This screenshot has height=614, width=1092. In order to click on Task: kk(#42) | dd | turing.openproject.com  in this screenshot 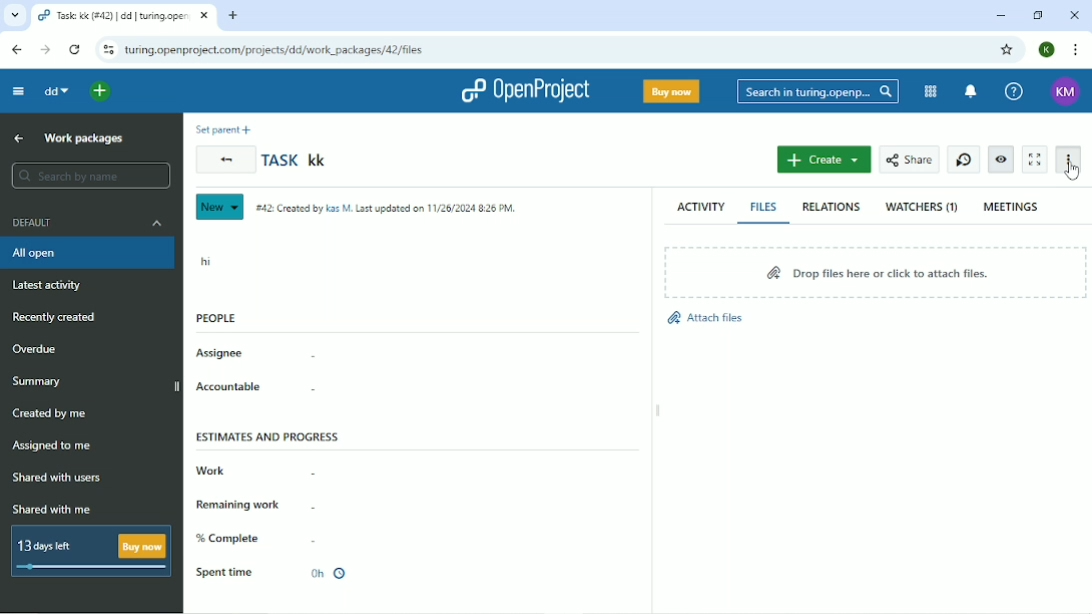, I will do `click(124, 15)`.